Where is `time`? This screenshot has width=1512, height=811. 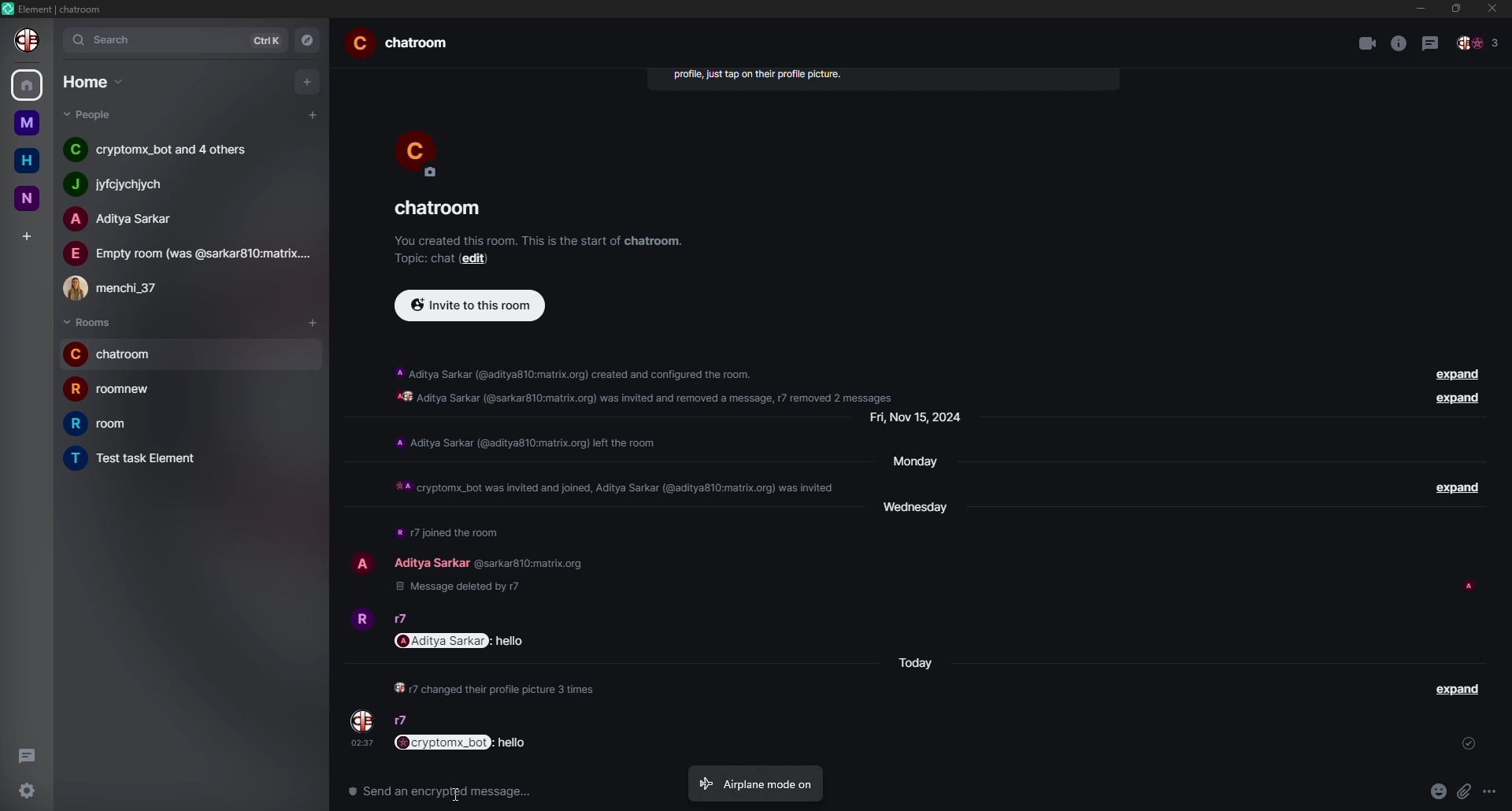
time is located at coordinates (364, 744).